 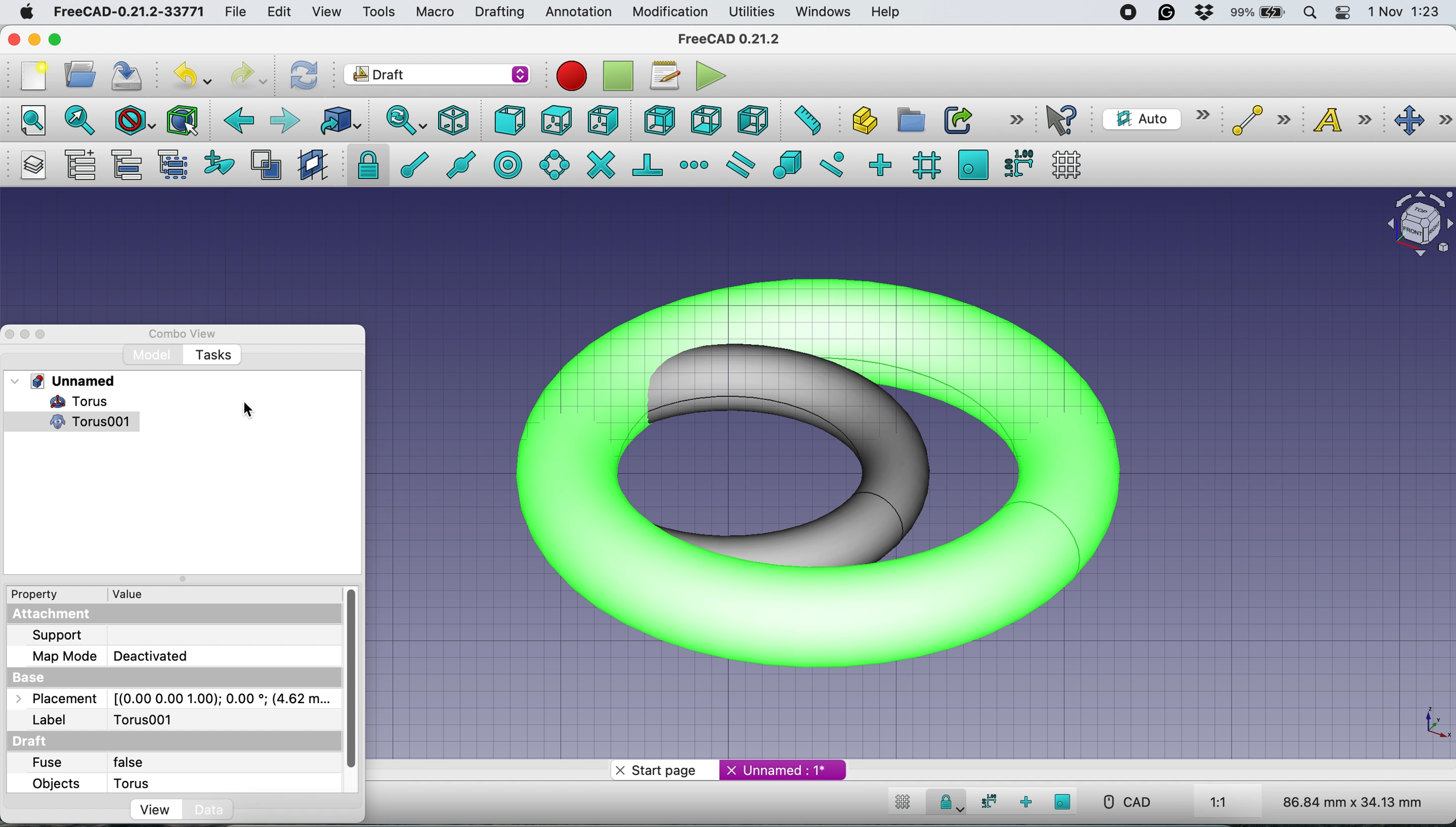 What do you see at coordinates (1165, 12) in the screenshot?
I see `grammarly` at bounding box center [1165, 12].